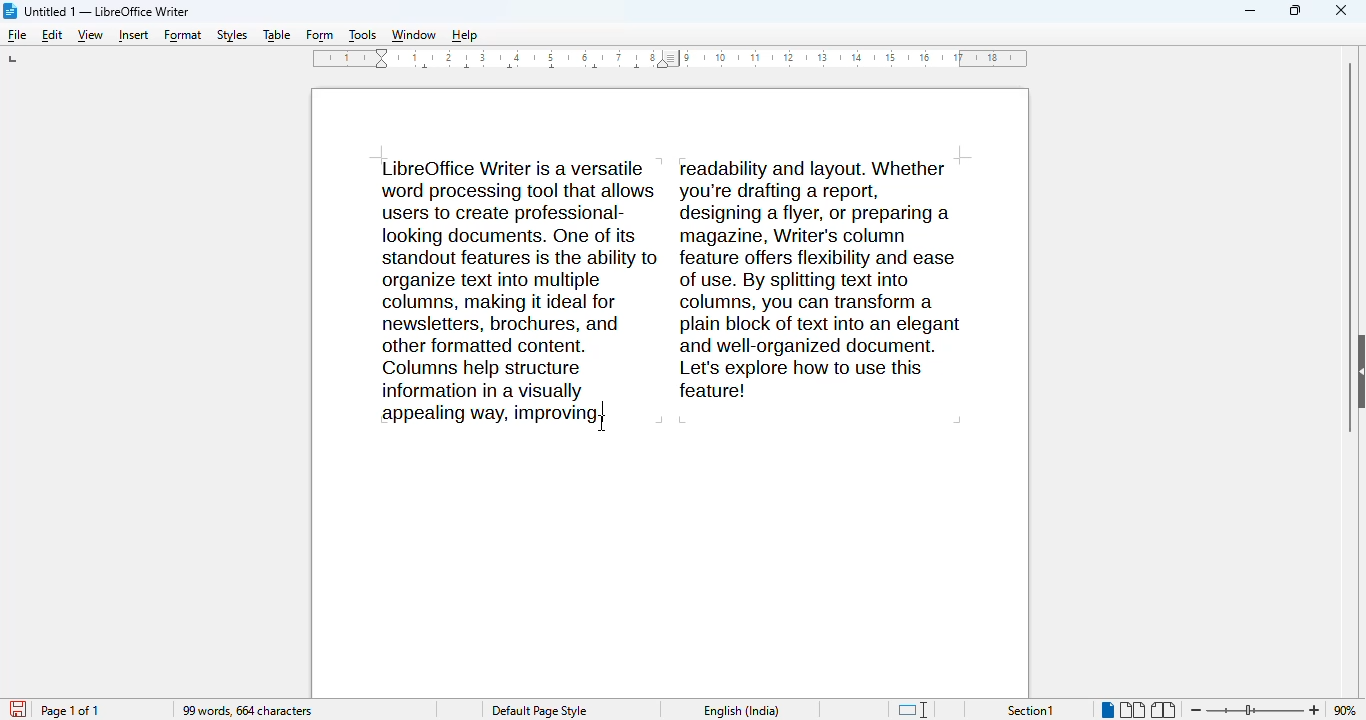 The image size is (1366, 720). What do you see at coordinates (134, 37) in the screenshot?
I see `insert` at bounding box center [134, 37].